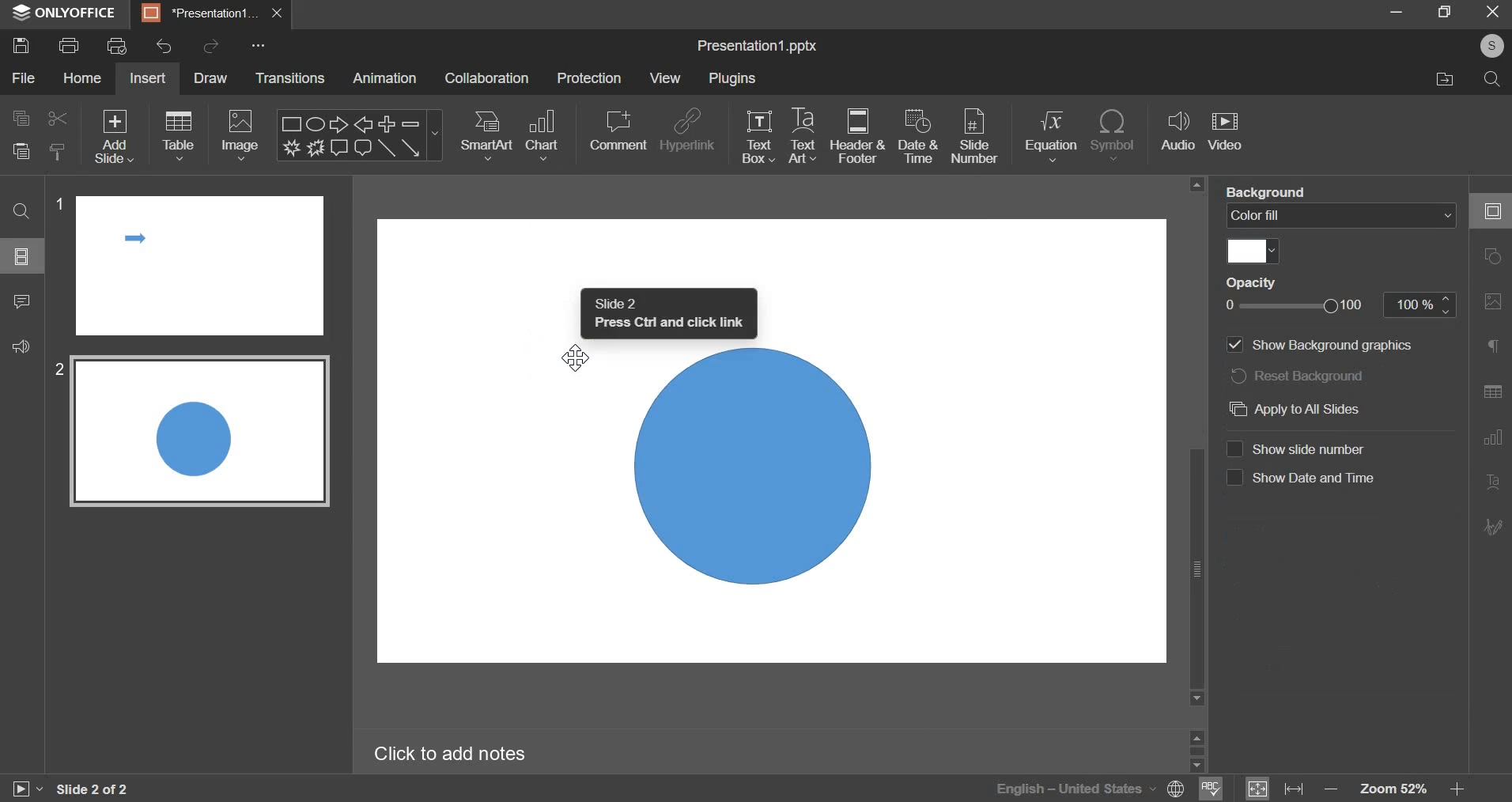  What do you see at coordinates (542, 135) in the screenshot?
I see `chart` at bounding box center [542, 135].